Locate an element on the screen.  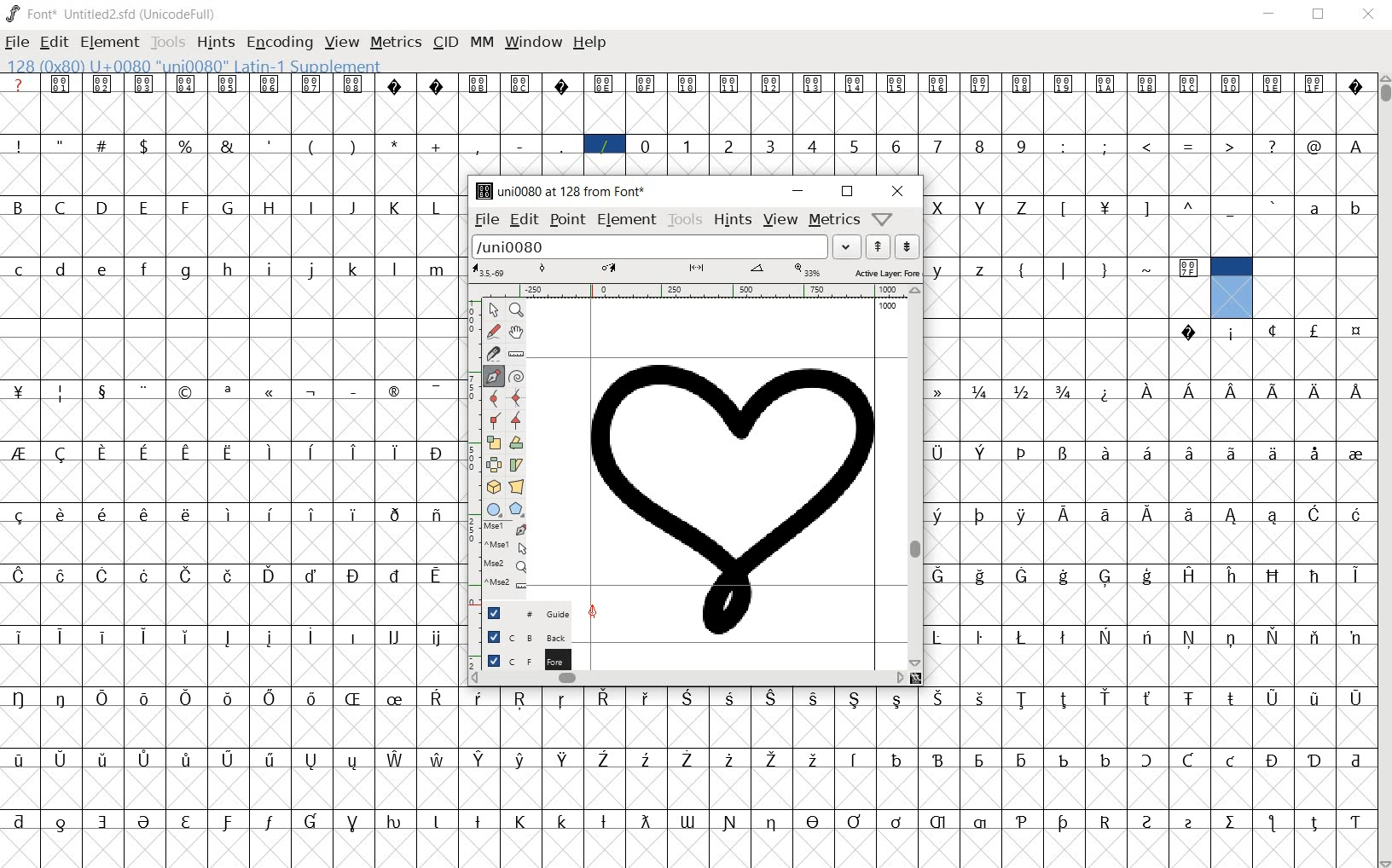
glyph is located at coordinates (1317, 392).